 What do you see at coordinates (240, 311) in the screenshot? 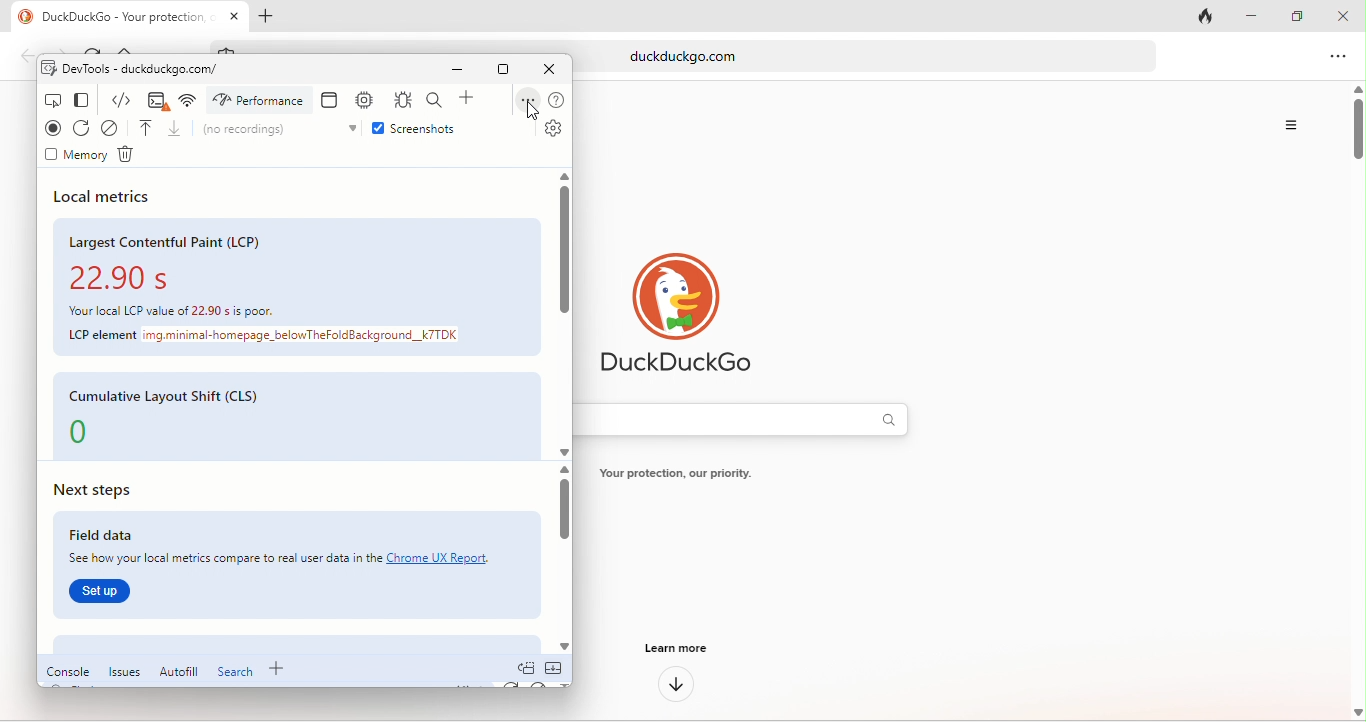
I see `Your local LCP value of 22.90 is poor` at bounding box center [240, 311].